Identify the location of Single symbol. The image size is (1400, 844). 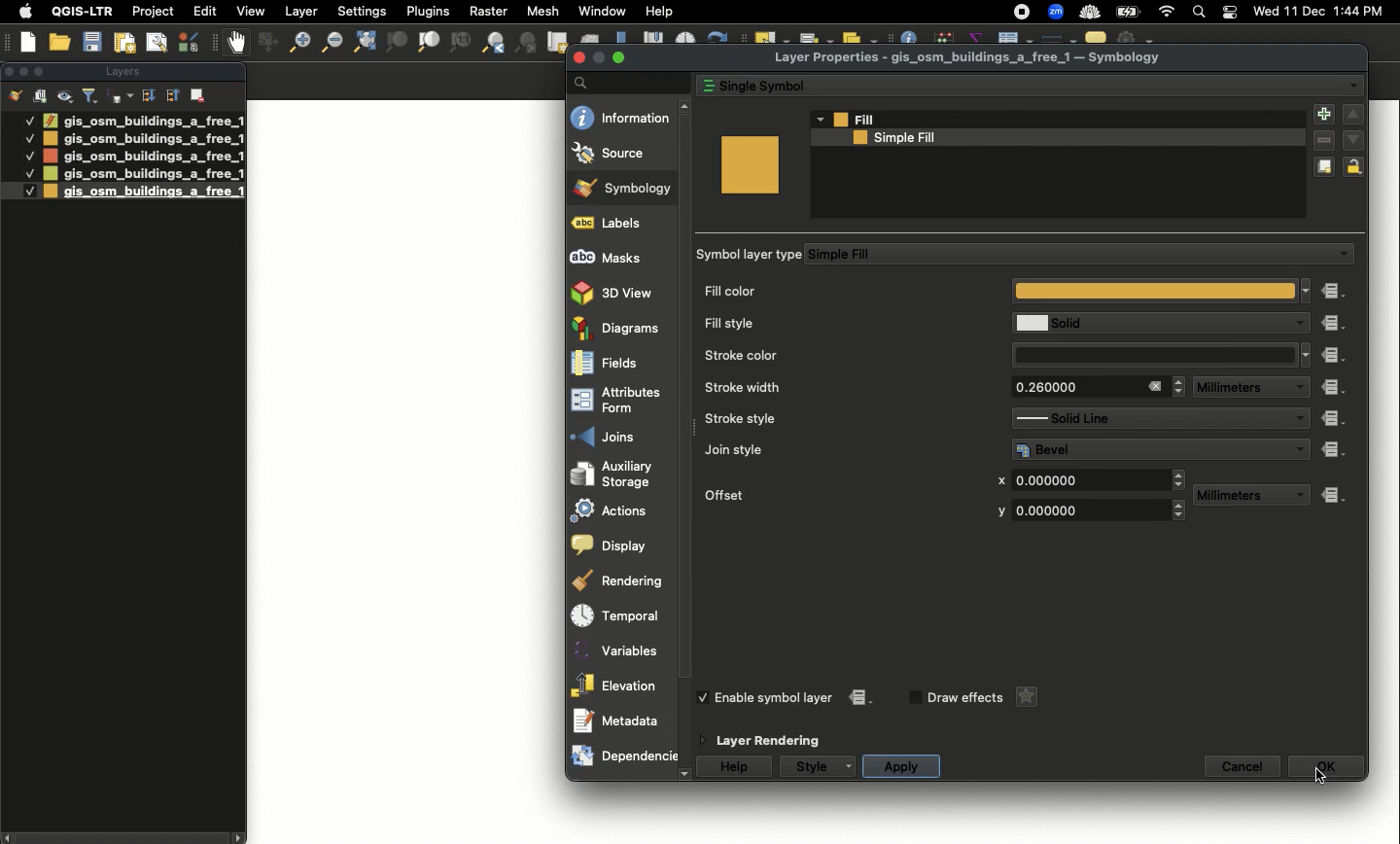
(1009, 84).